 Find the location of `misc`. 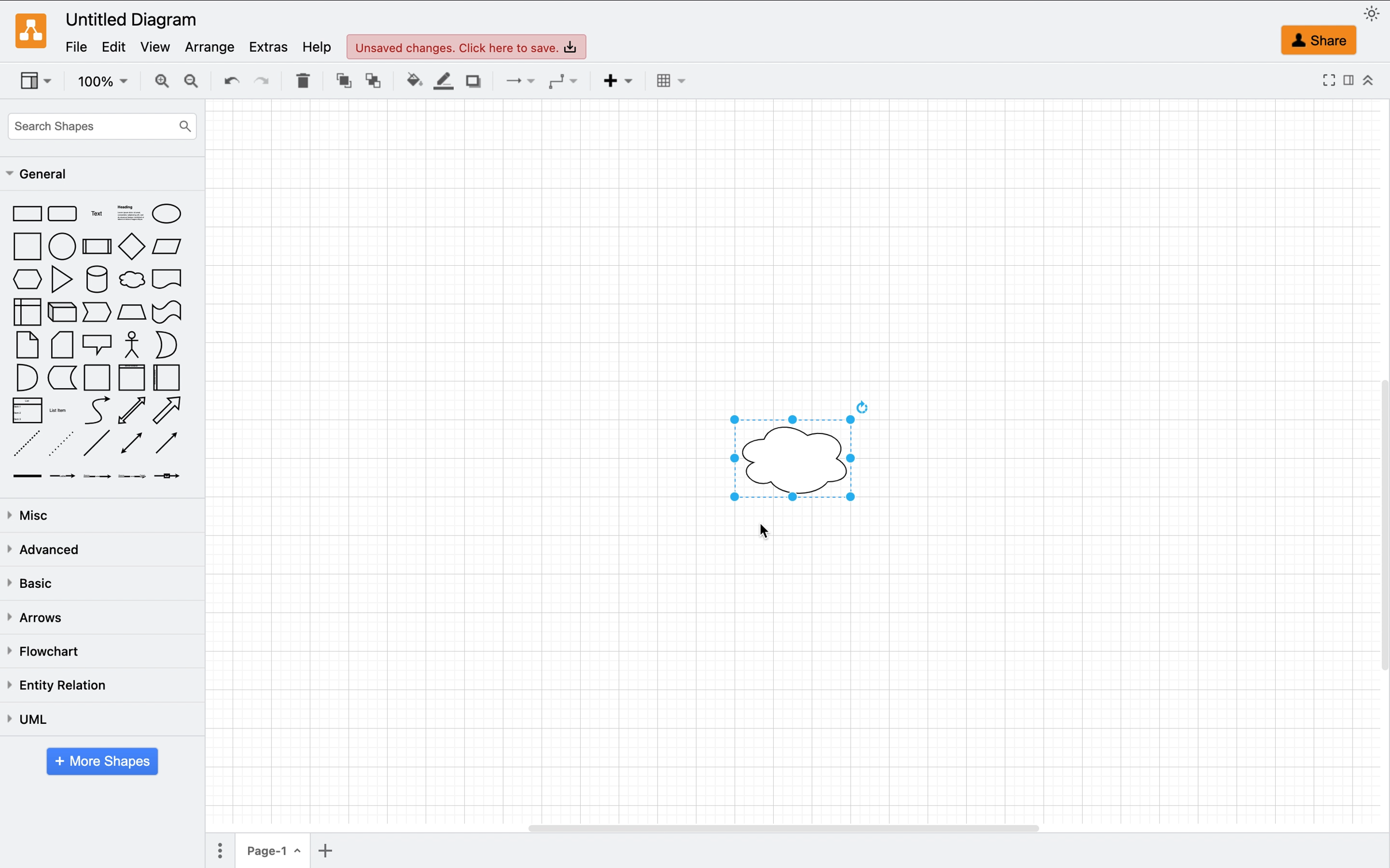

misc is located at coordinates (39, 515).